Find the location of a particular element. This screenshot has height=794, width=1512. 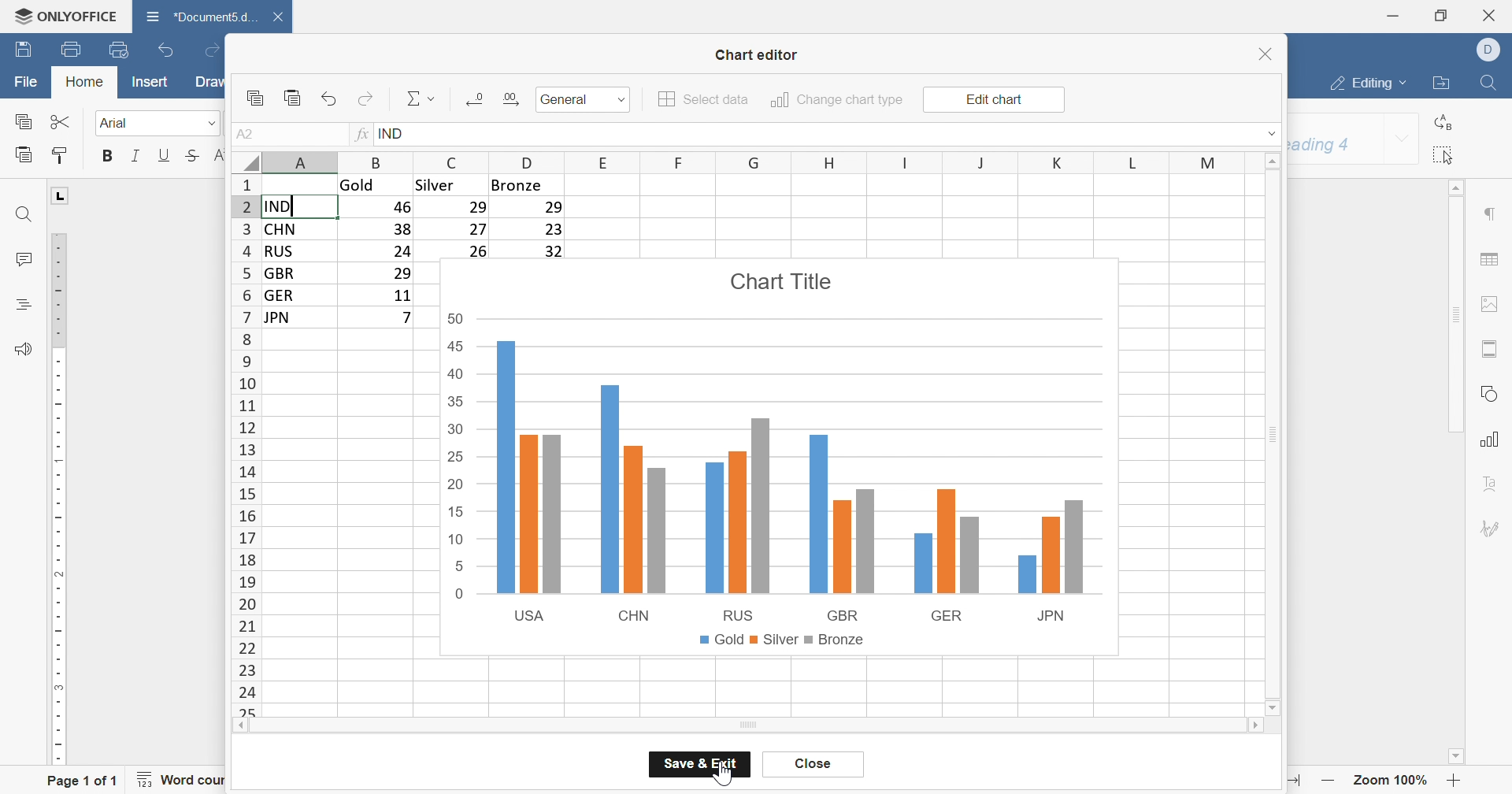

IND is located at coordinates (396, 134).